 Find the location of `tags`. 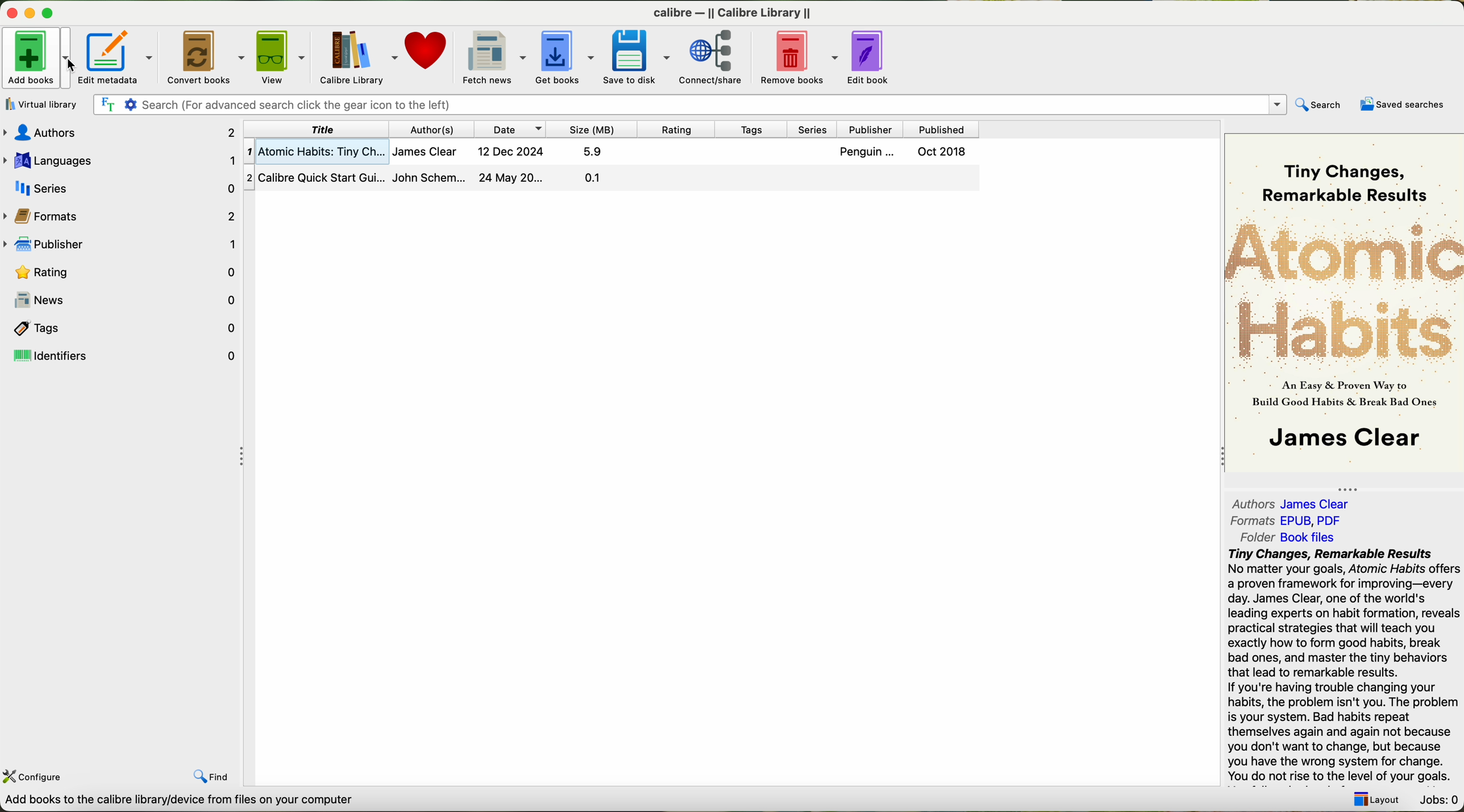

tags is located at coordinates (121, 327).